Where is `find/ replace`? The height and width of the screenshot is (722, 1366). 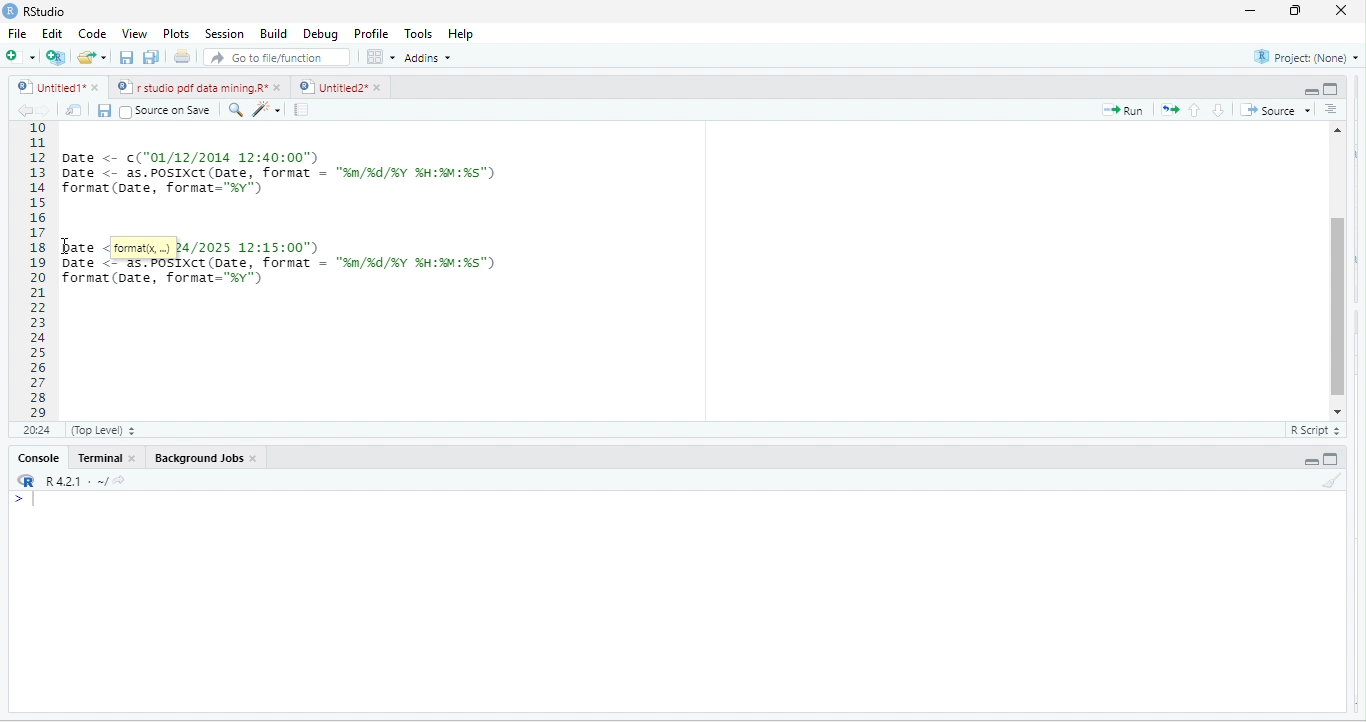 find/ replace is located at coordinates (232, 110).